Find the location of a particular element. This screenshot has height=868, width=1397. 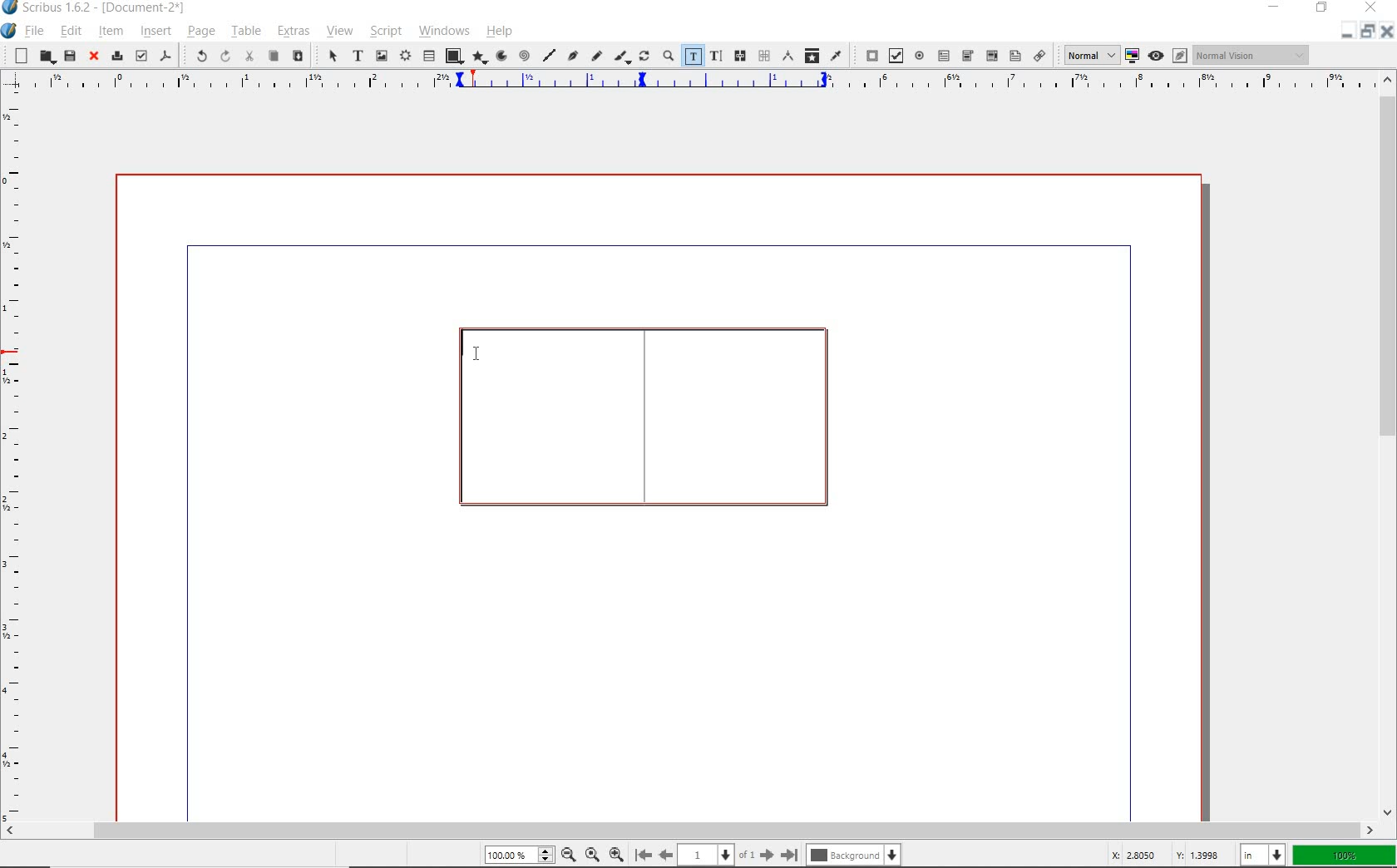

zoom out is located at coordinates (617, 854).